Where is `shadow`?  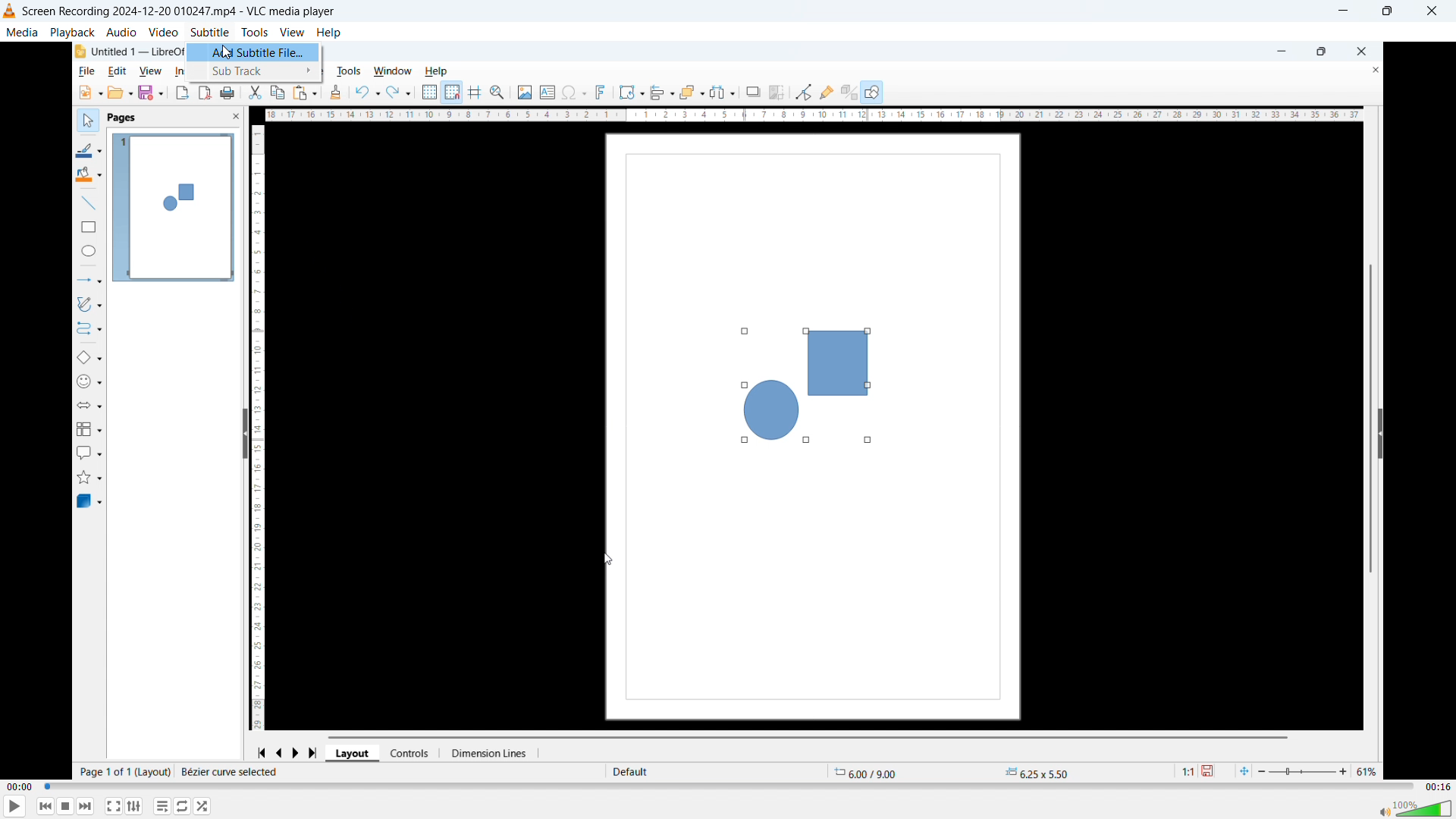 shadow is located at coordinates (753, 91).